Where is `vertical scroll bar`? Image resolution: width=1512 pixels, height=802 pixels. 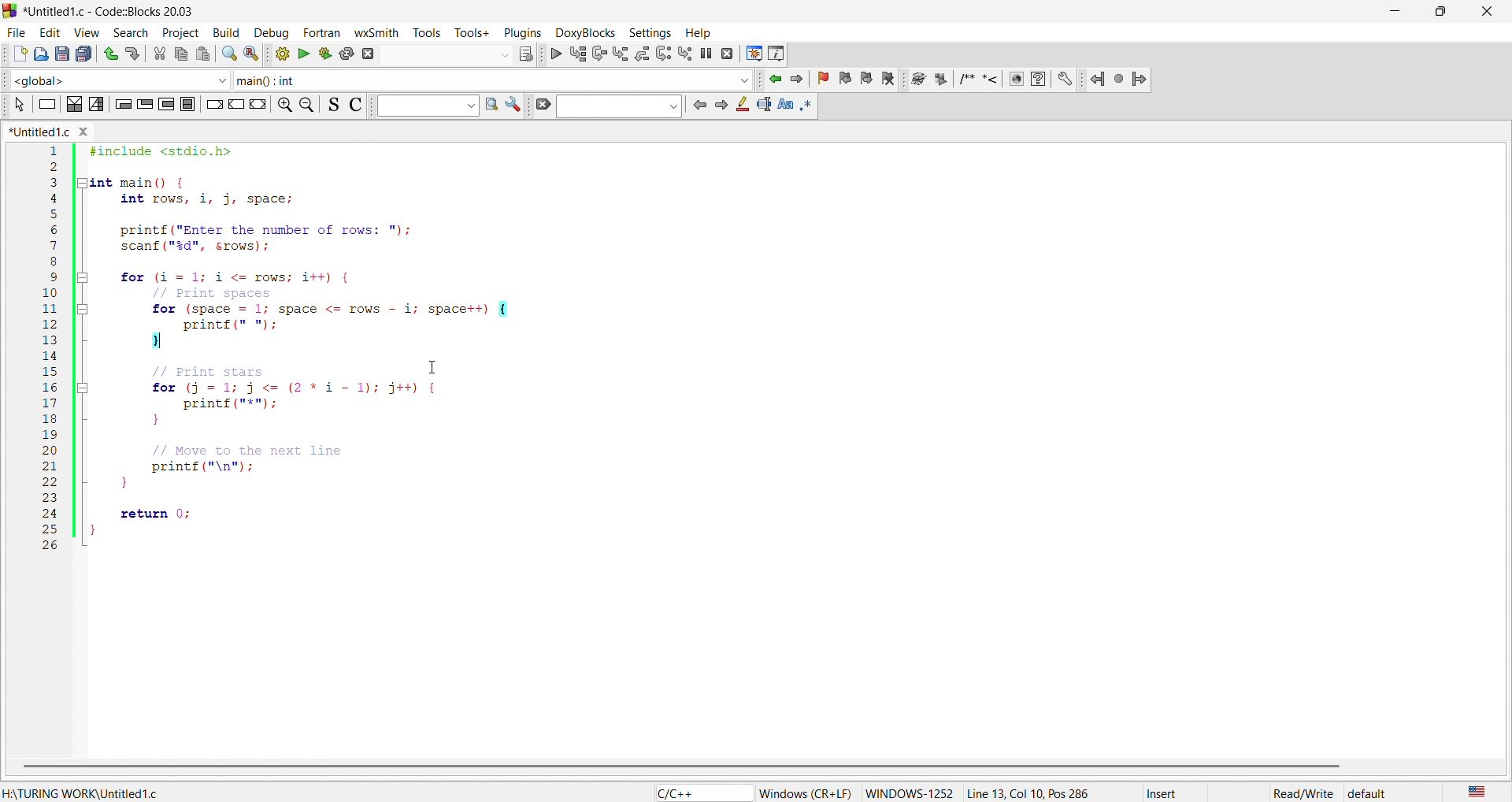
vertical scroll bar is located at coordinates (677, 764).